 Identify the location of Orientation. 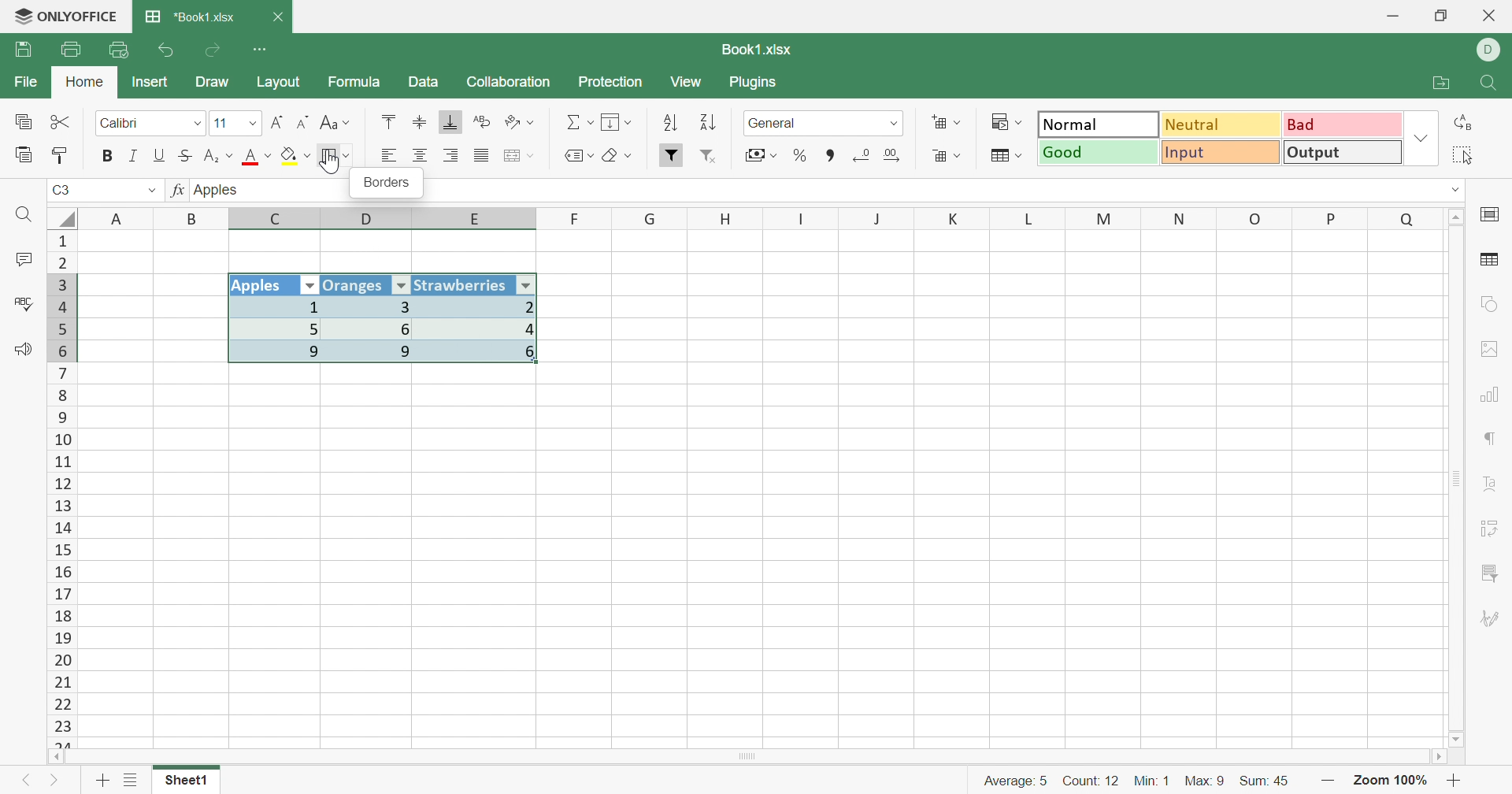
(522, 122).